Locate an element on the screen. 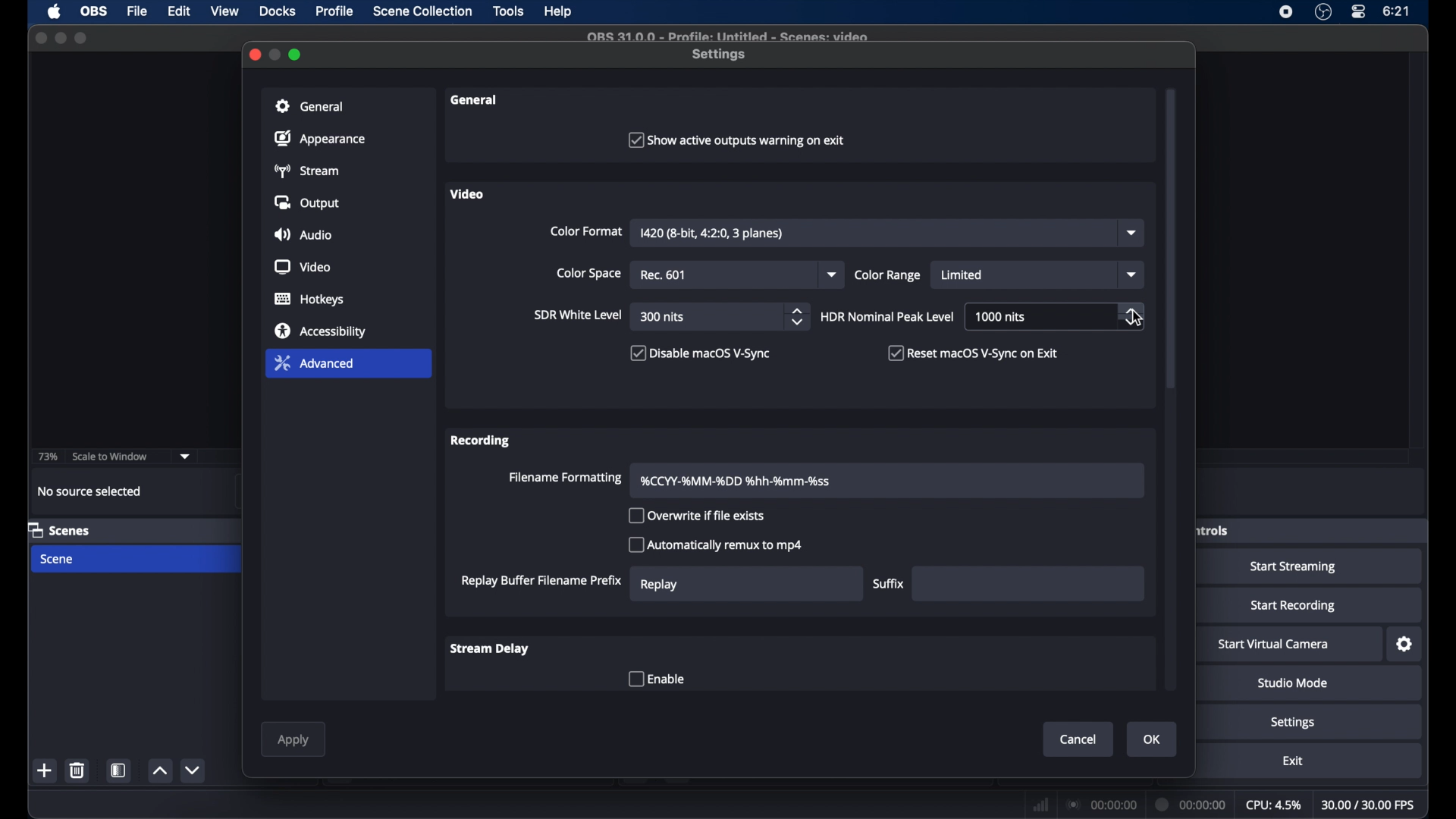 The width and height of the screenshot is (1456, 819). start recording is located at coordinates (1293, 606).